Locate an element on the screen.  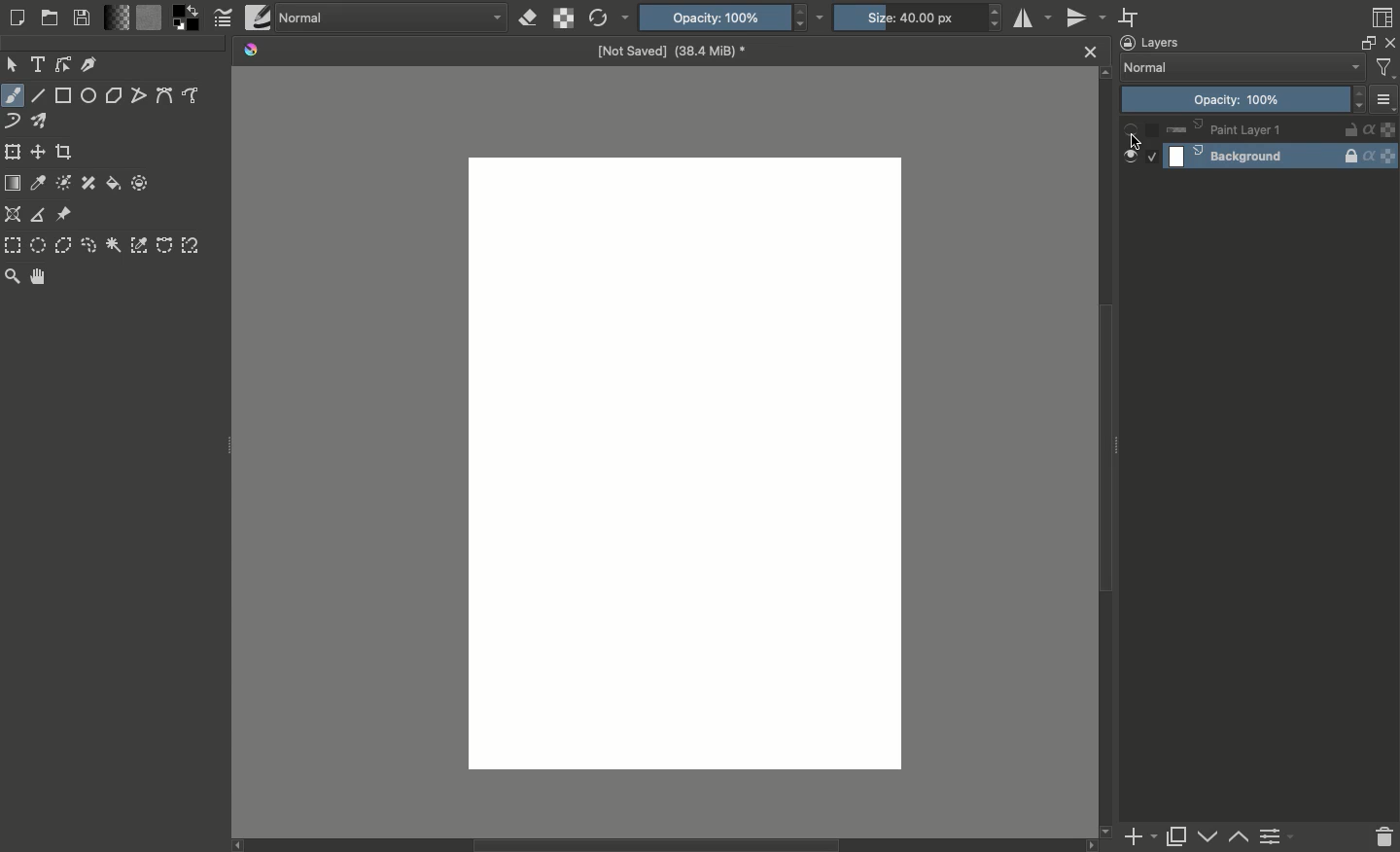
Reference images is located at coordinates (69, 214).